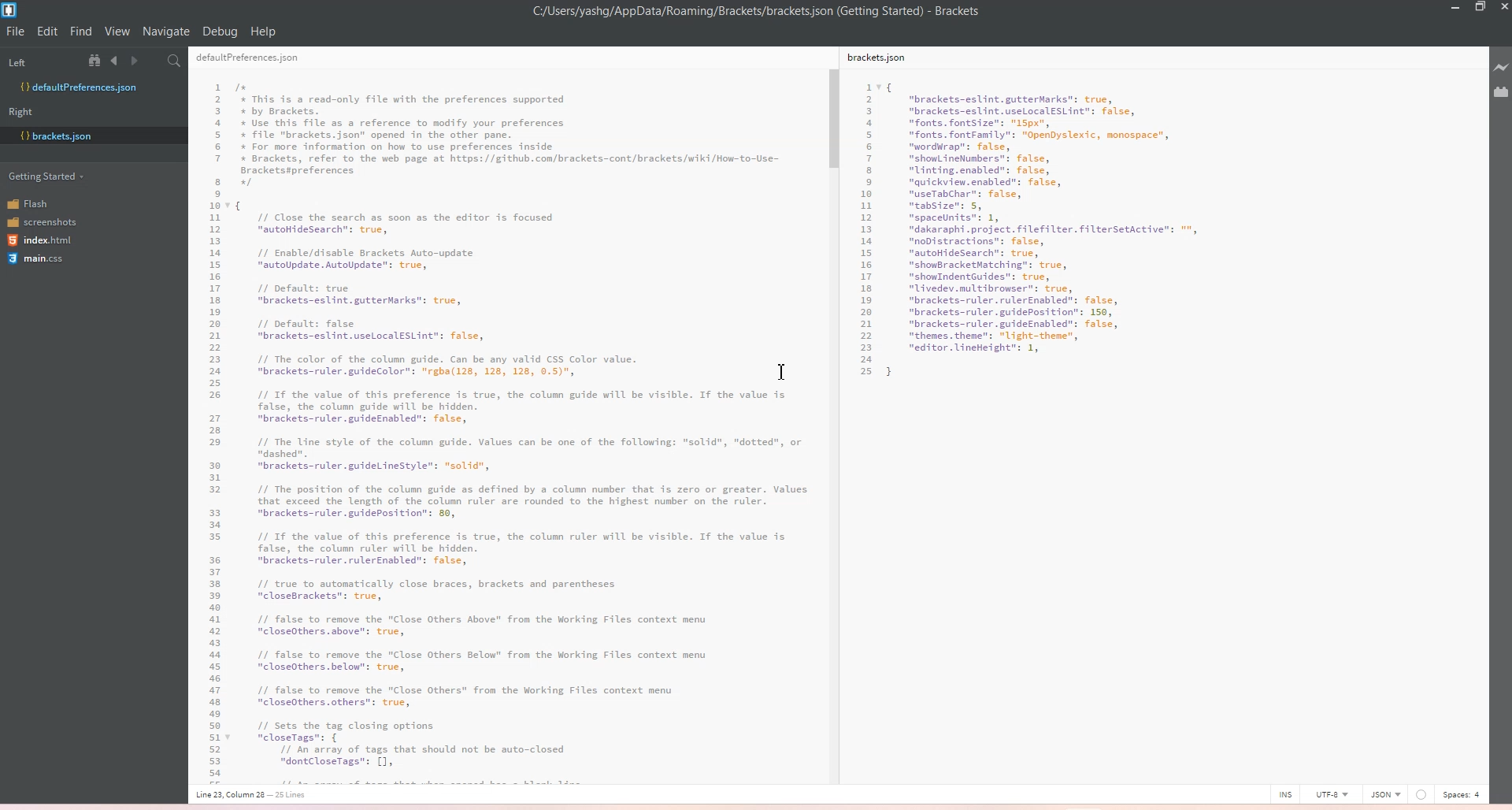 The height and width of the screenshot is (810, 1512). Describe the element at coordinates (42, 241) in the screenshot. I see `index.html` at that location.